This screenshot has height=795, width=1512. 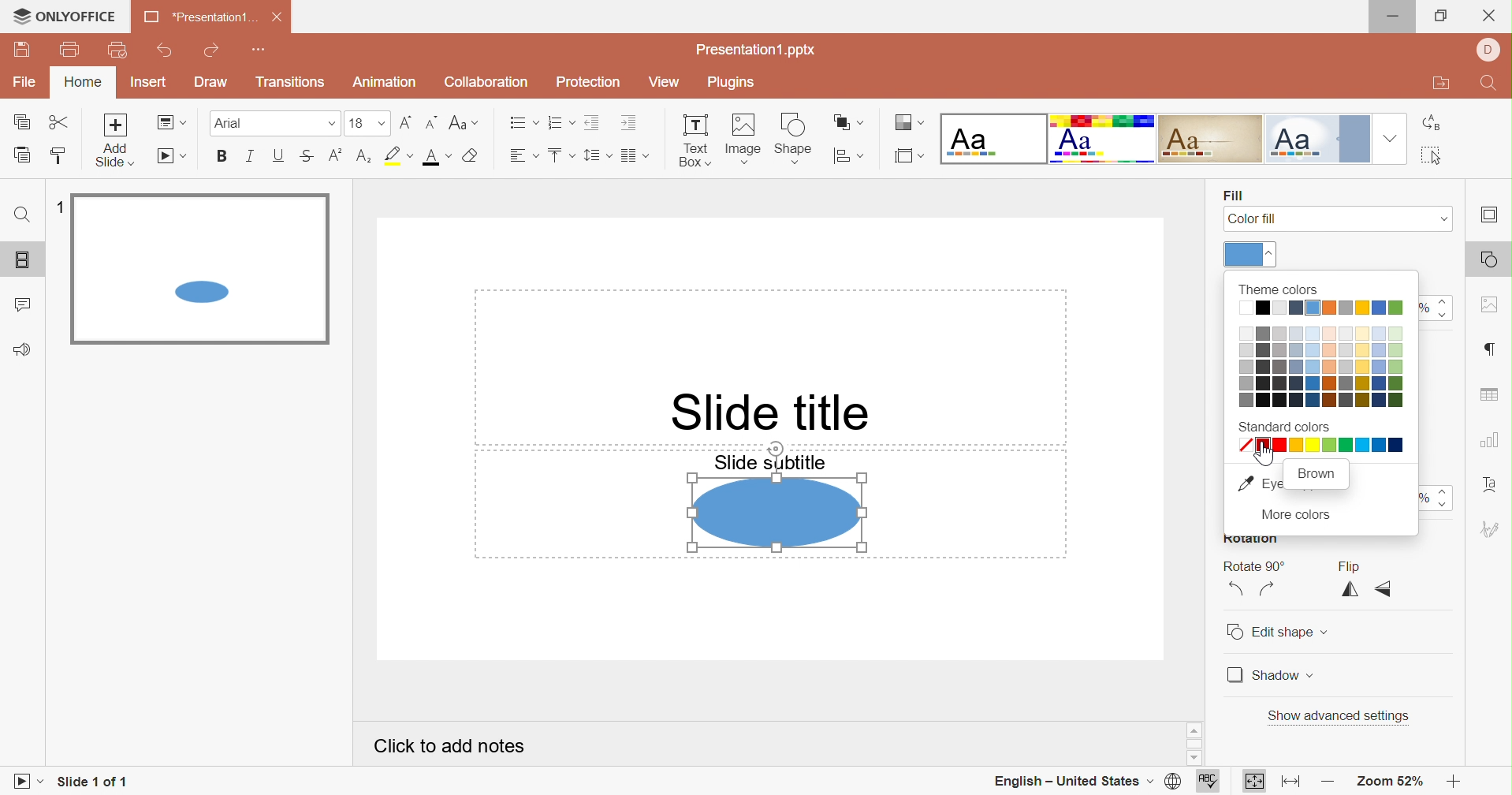 What do you see at coordinates (1260, 486) in the screenshot?
I see `Eye` at bounding box center [1260, 486].